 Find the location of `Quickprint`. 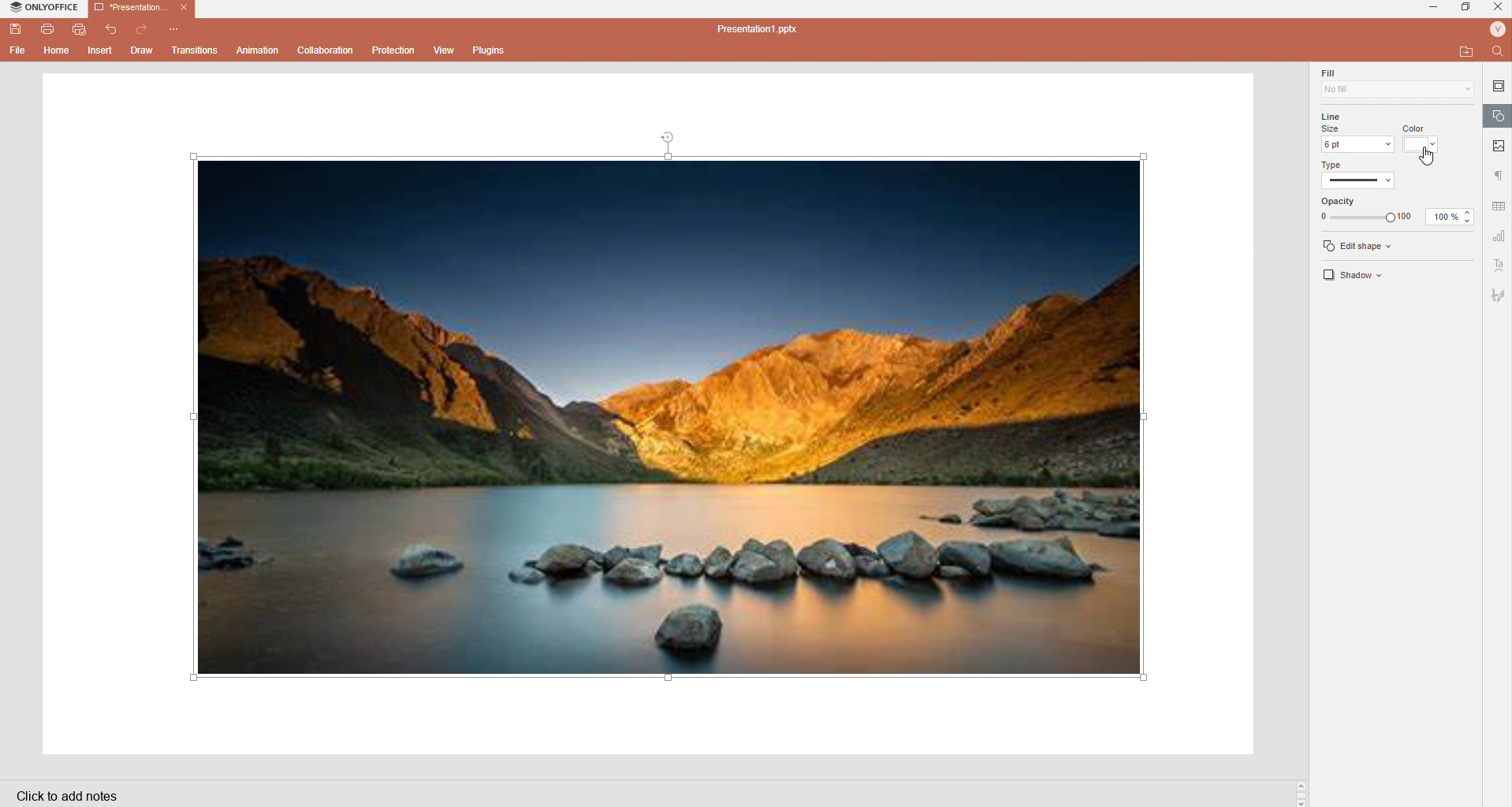

Quickprint is located at coordinates (80, 31).